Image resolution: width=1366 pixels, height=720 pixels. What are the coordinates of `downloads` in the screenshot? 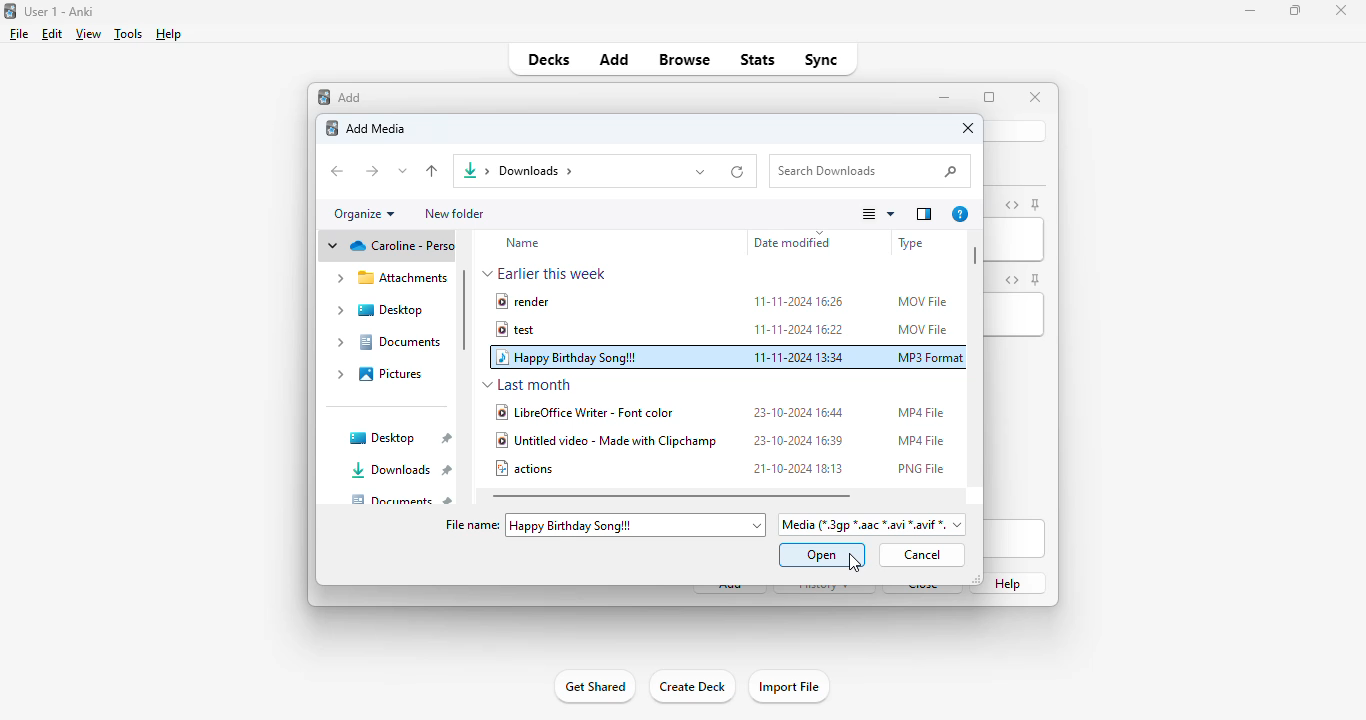 It's located at (400, 469).